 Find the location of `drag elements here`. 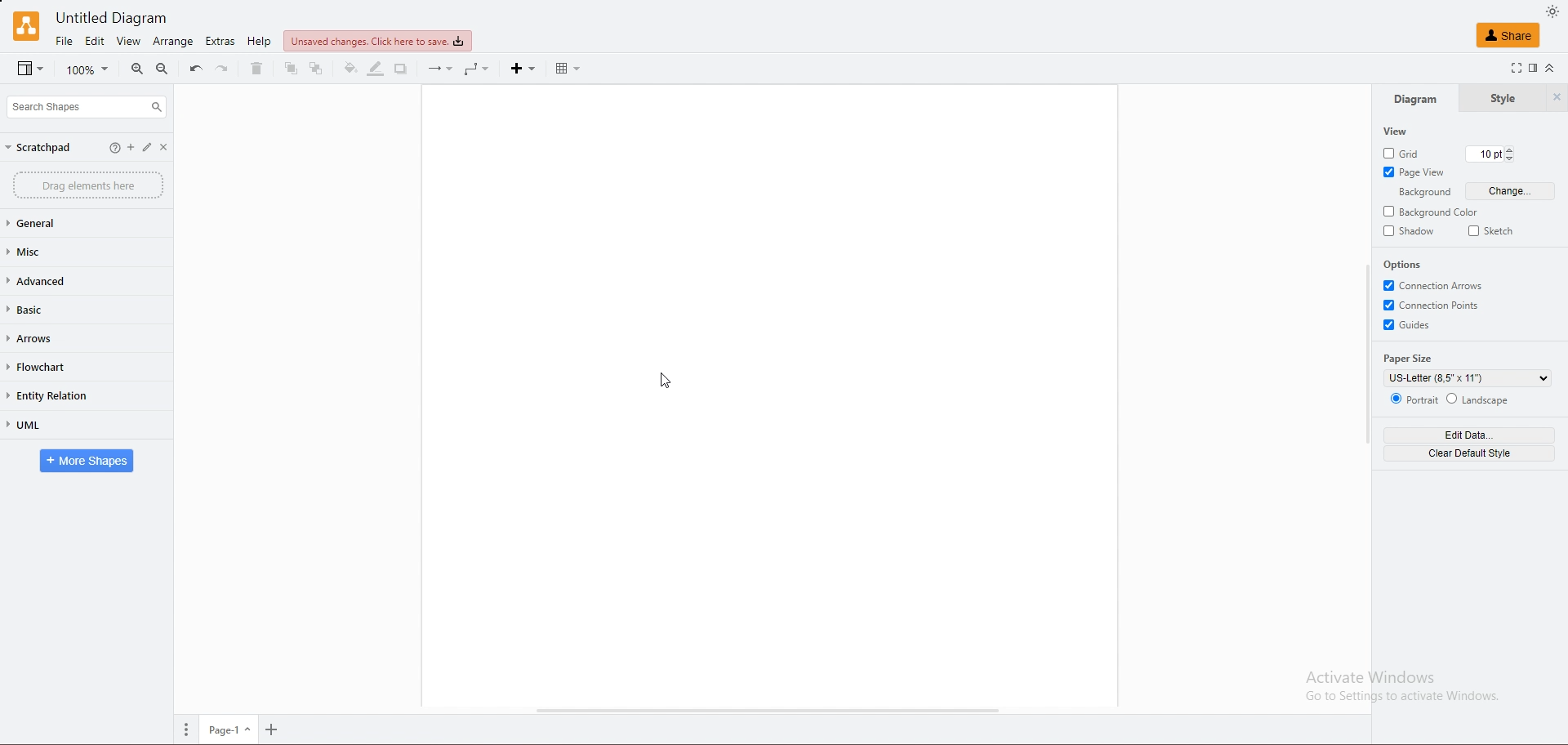

drag elements here is located at coordinates (87, 185).